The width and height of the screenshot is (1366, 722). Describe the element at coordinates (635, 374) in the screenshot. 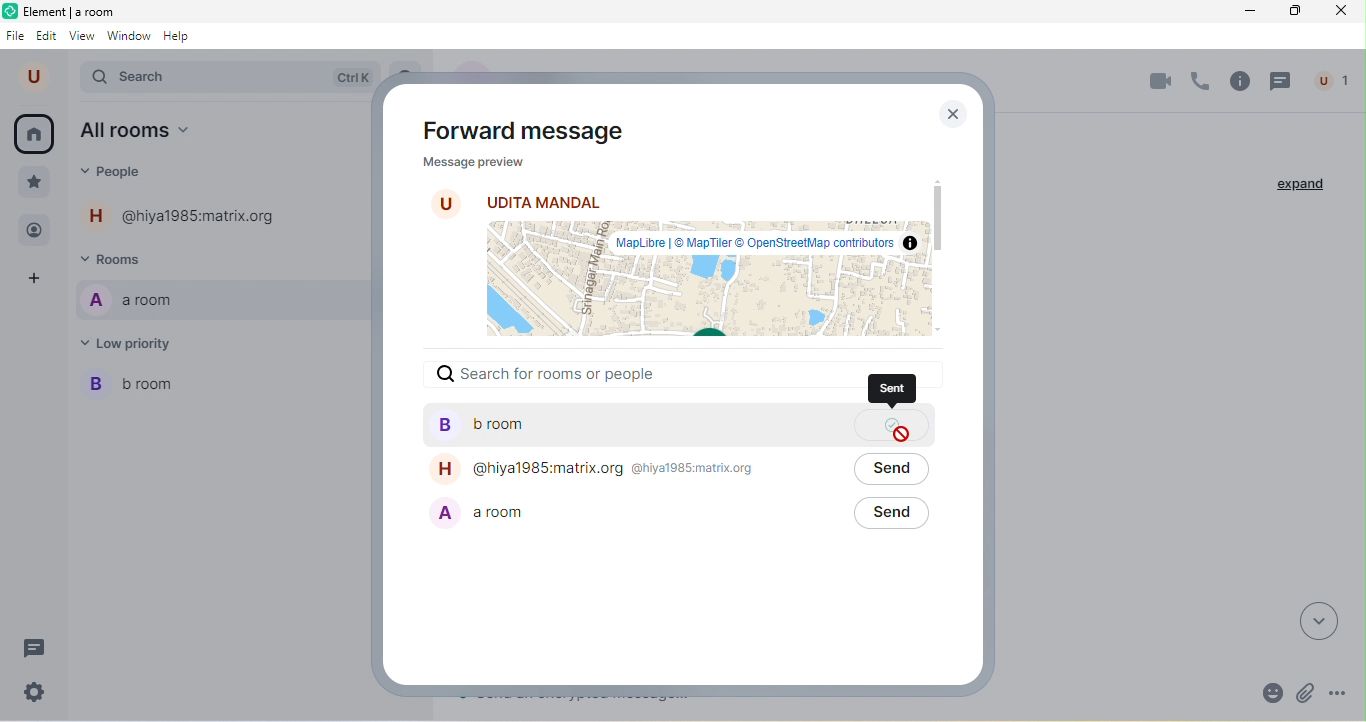

I see `search for rooms or people` at that location.